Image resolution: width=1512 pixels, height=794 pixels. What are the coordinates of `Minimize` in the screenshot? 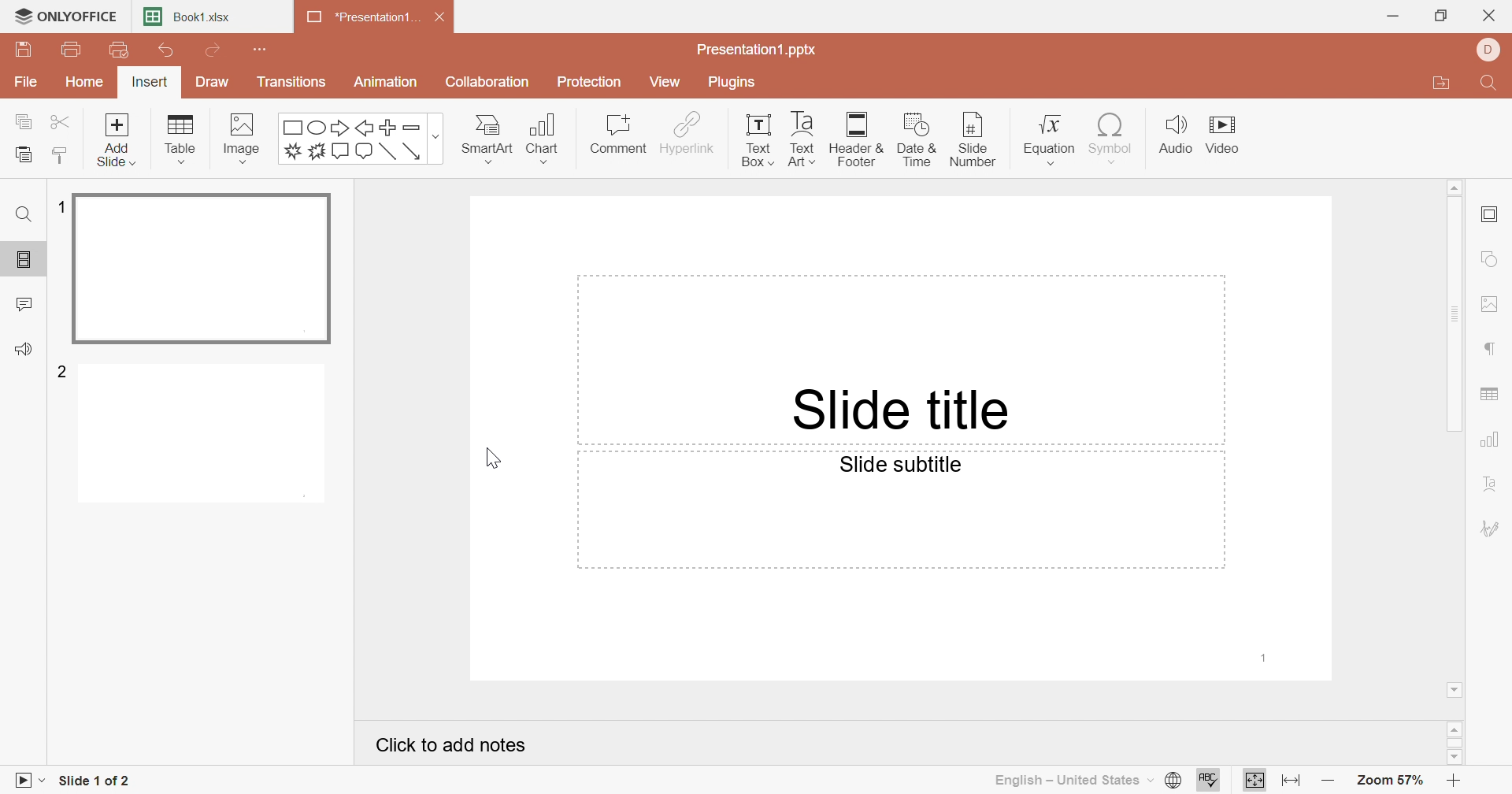 It's located at (1393, 17).